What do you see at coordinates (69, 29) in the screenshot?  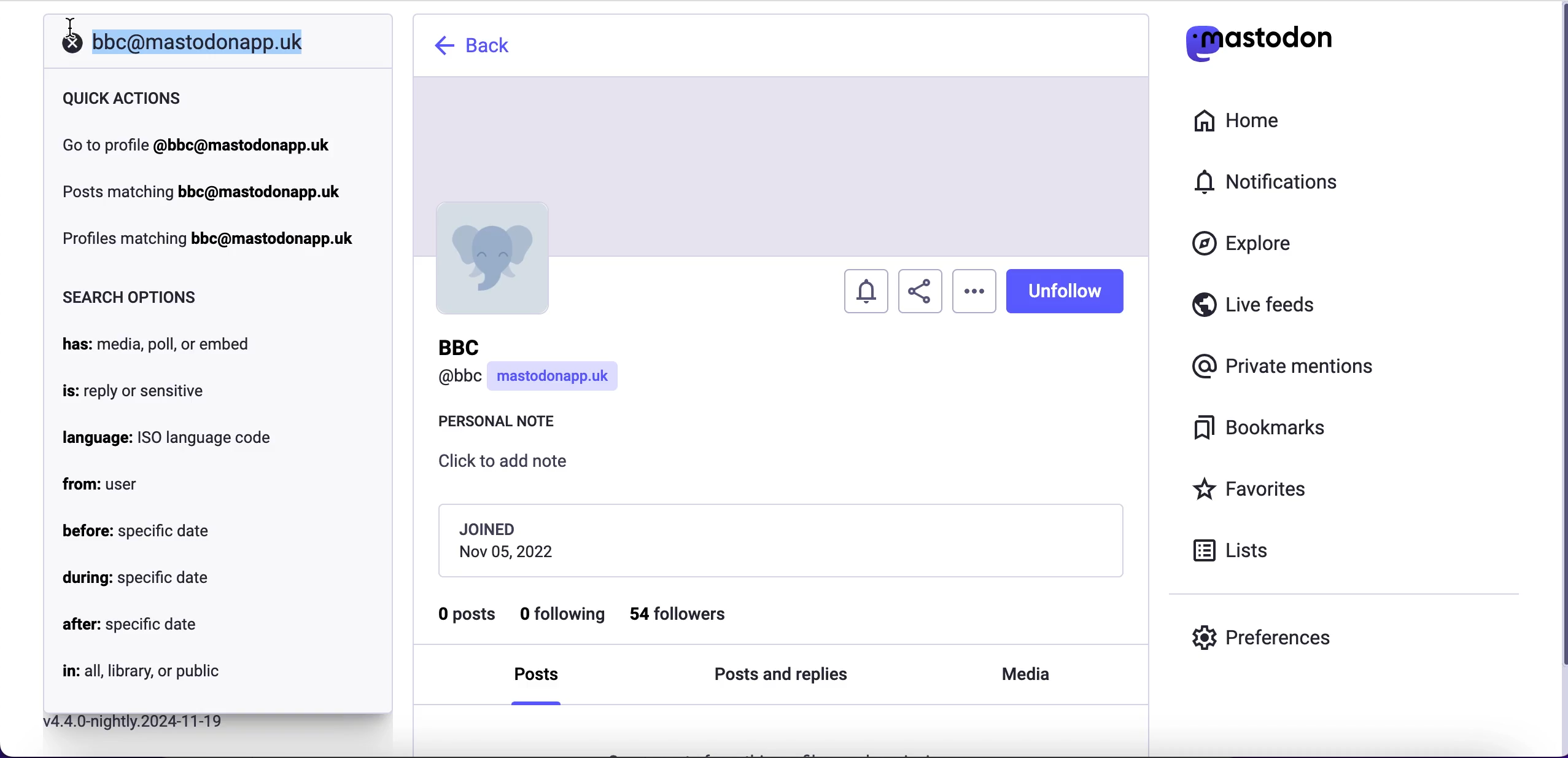 I see `text cursor` at bounding box center [69, 29].